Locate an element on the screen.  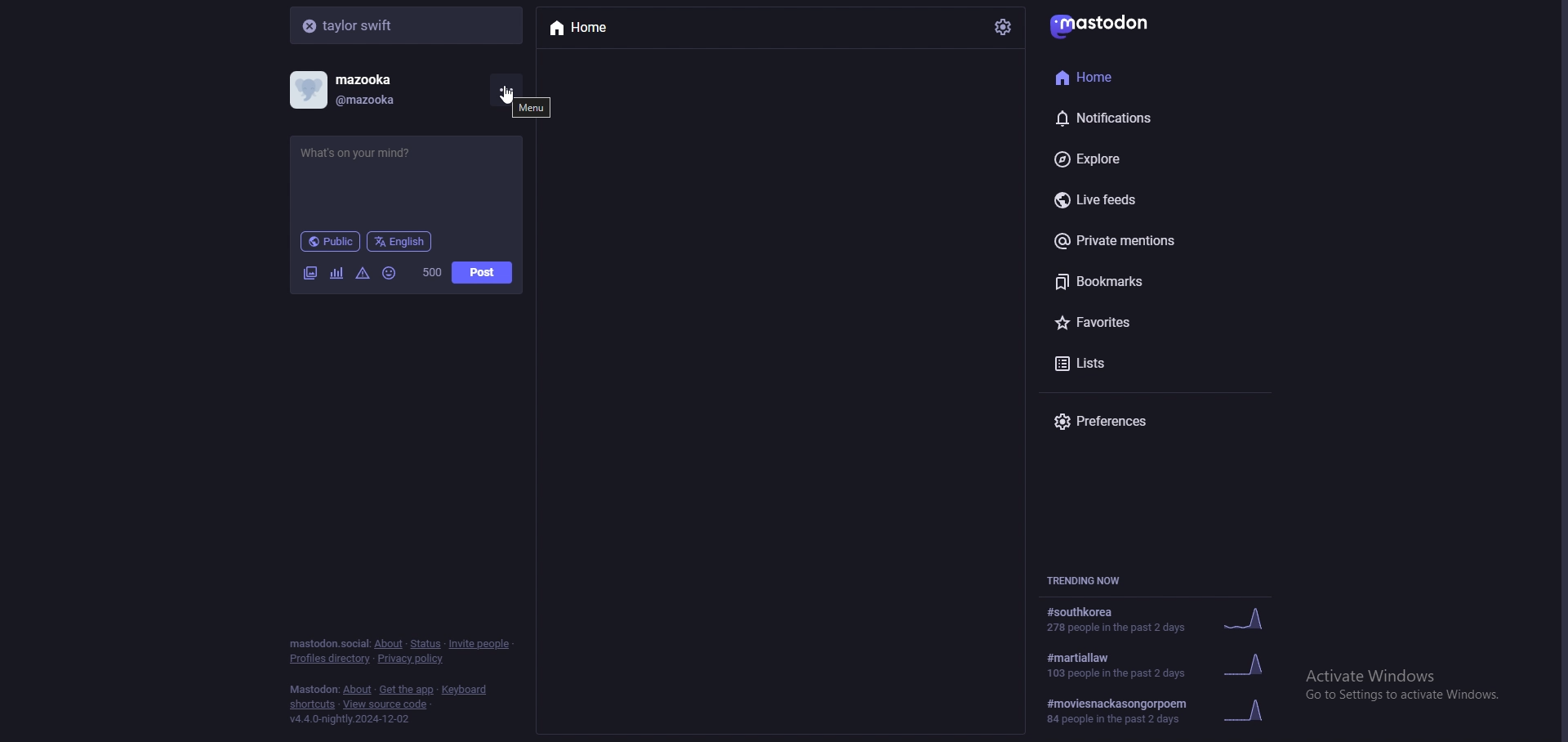
polls is located at coordinates (338, 273).